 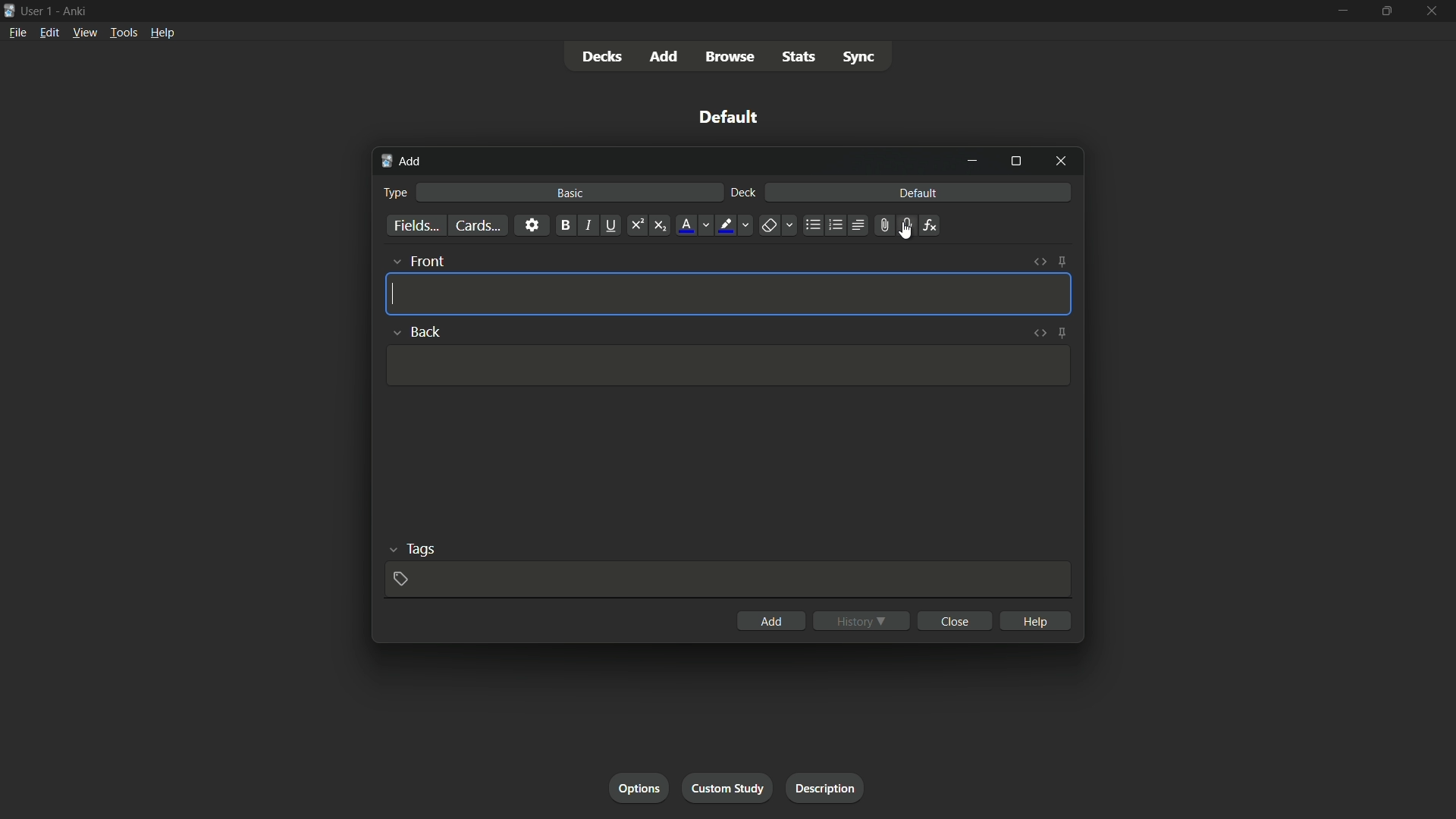 What do you see at coordinates (905, 231) in the screenshot?
I see `cursor` at bounding box center [905, 231].